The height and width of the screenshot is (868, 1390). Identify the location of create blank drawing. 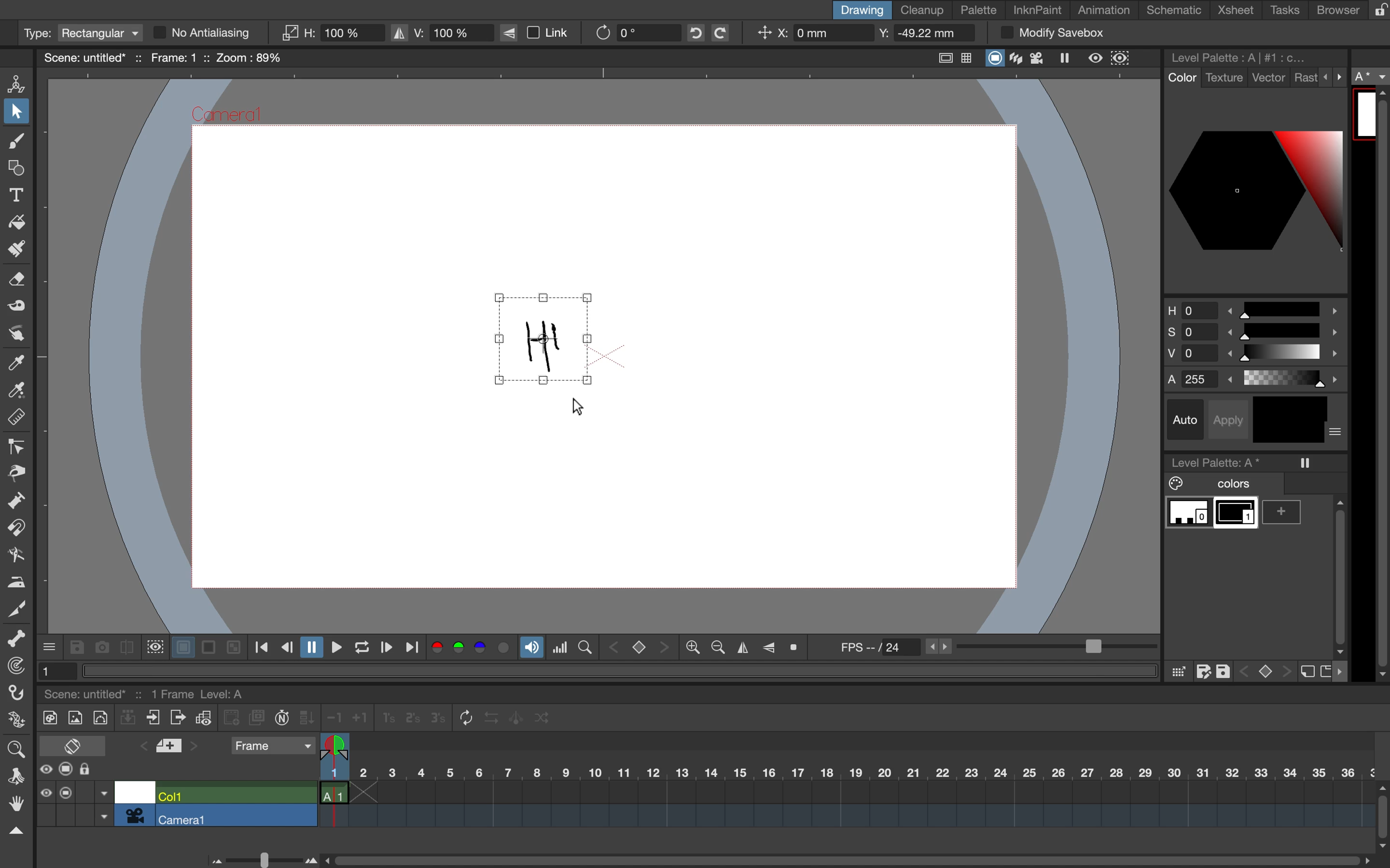
(233, 718).